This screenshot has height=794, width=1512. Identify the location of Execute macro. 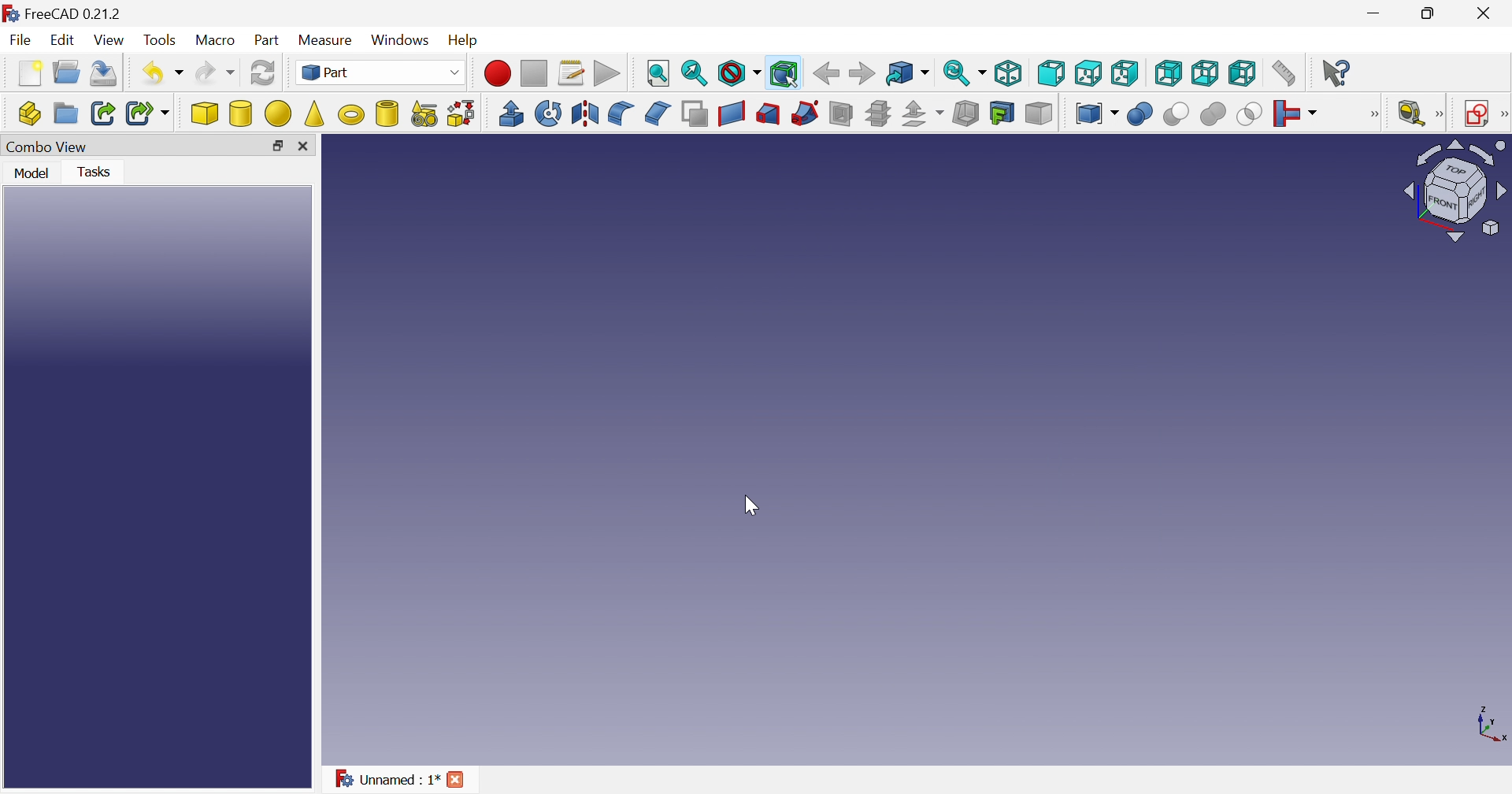
(607, 74).